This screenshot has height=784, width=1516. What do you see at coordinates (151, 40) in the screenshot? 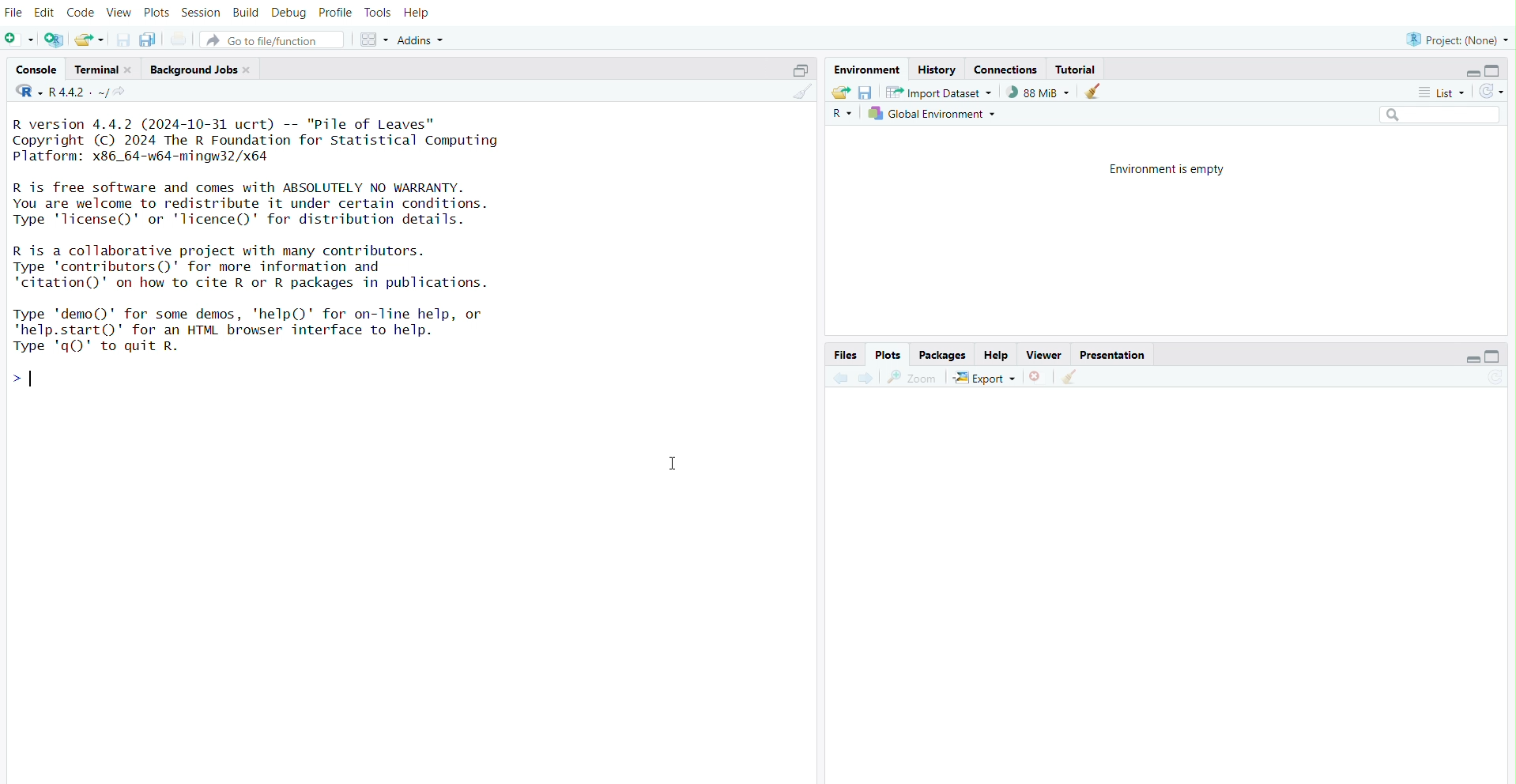
I see `save all open documents` at bounding box center [151, 40].